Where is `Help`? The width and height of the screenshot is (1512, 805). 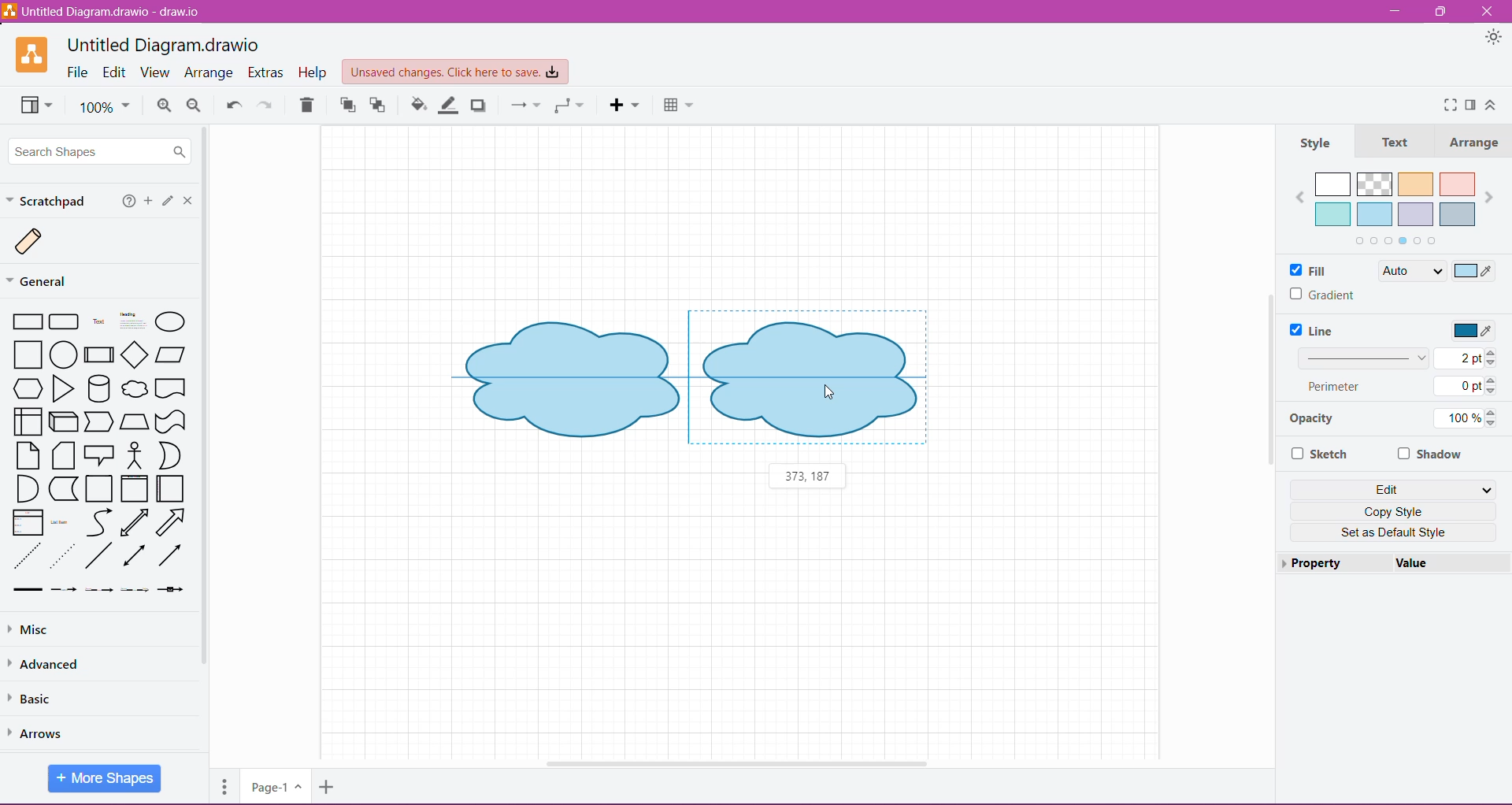
Help is located at coordinates (129, 202).